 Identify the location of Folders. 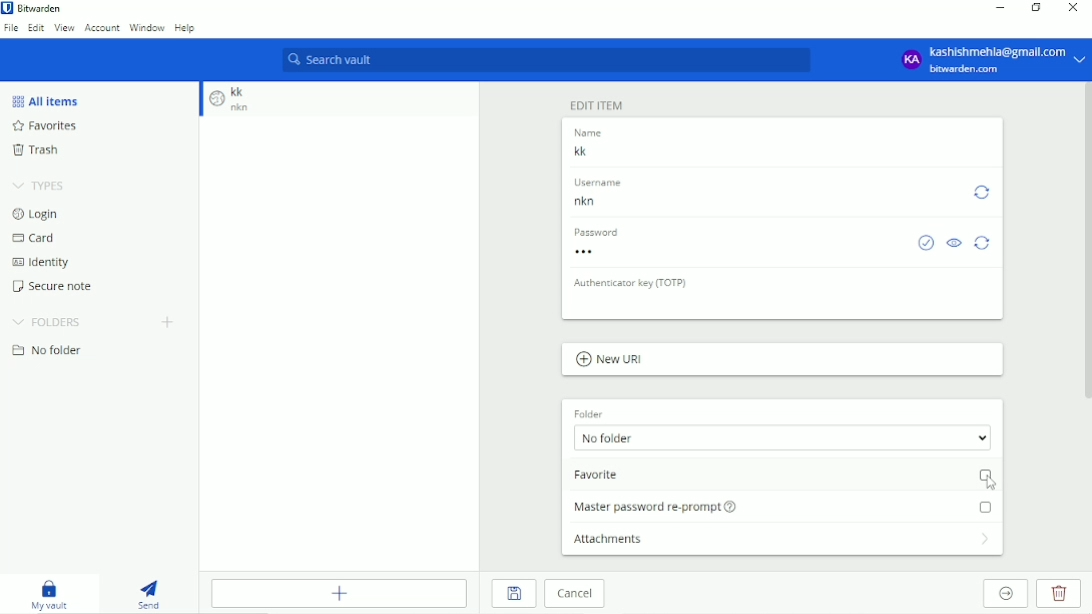
(46, 322).